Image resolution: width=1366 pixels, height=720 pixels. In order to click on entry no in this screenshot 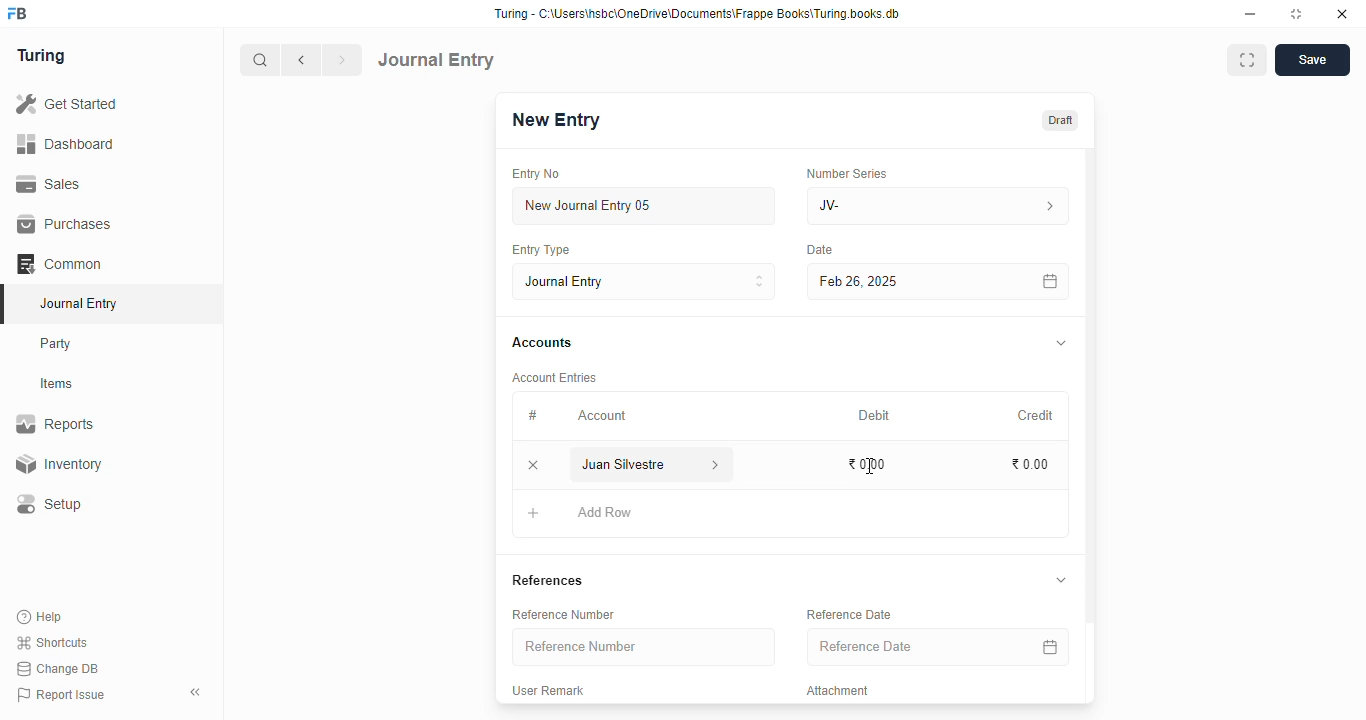, I will do `click(537, 174)`.